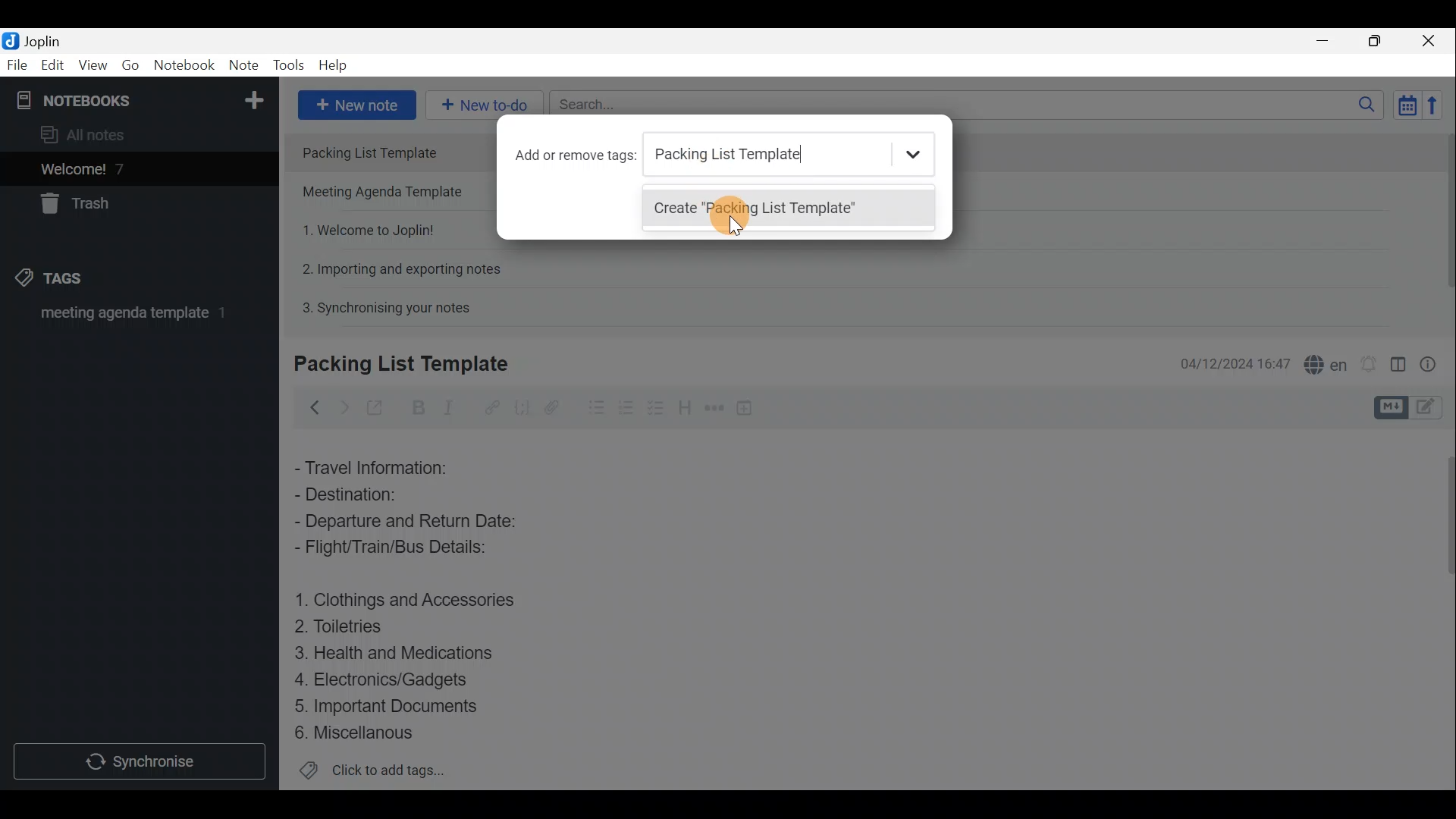 The width and height of the screenshot is (1456, 819). I want to click on Code, so click(522, 406).